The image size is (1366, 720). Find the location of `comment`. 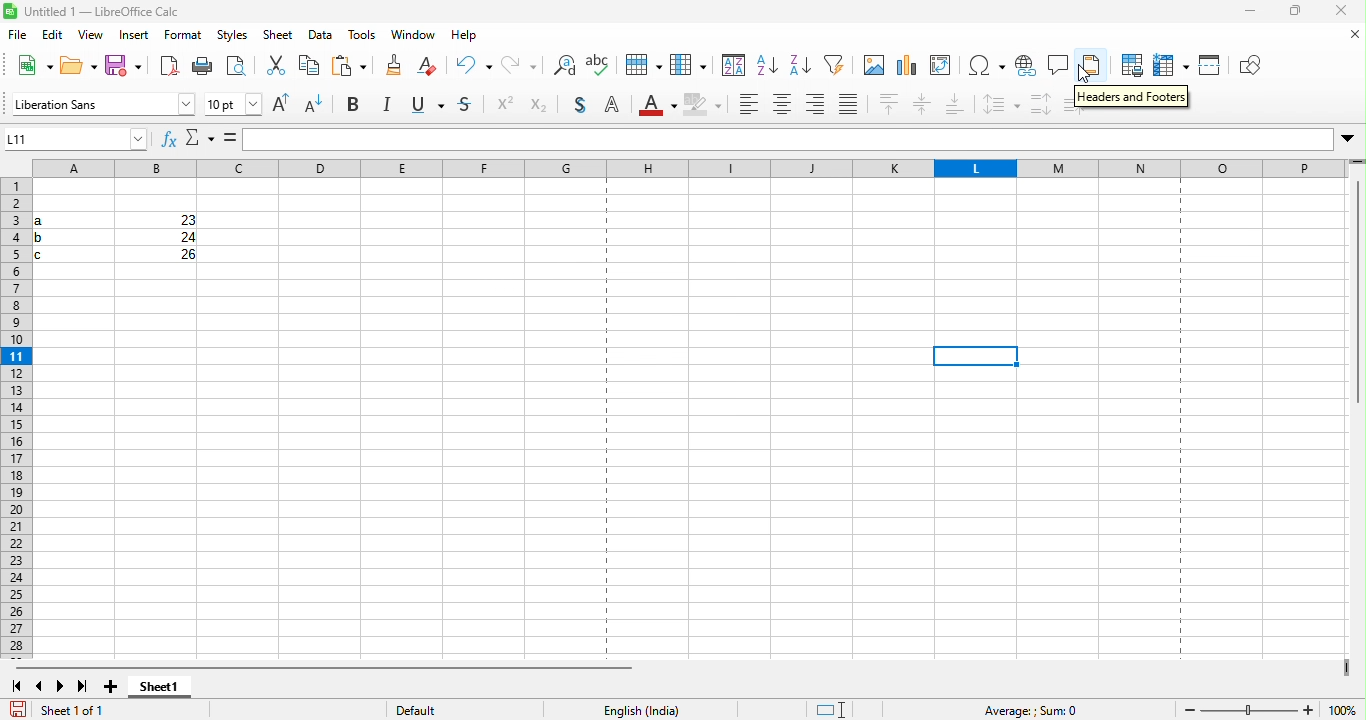

comment is located at coordinates (1060, 67).